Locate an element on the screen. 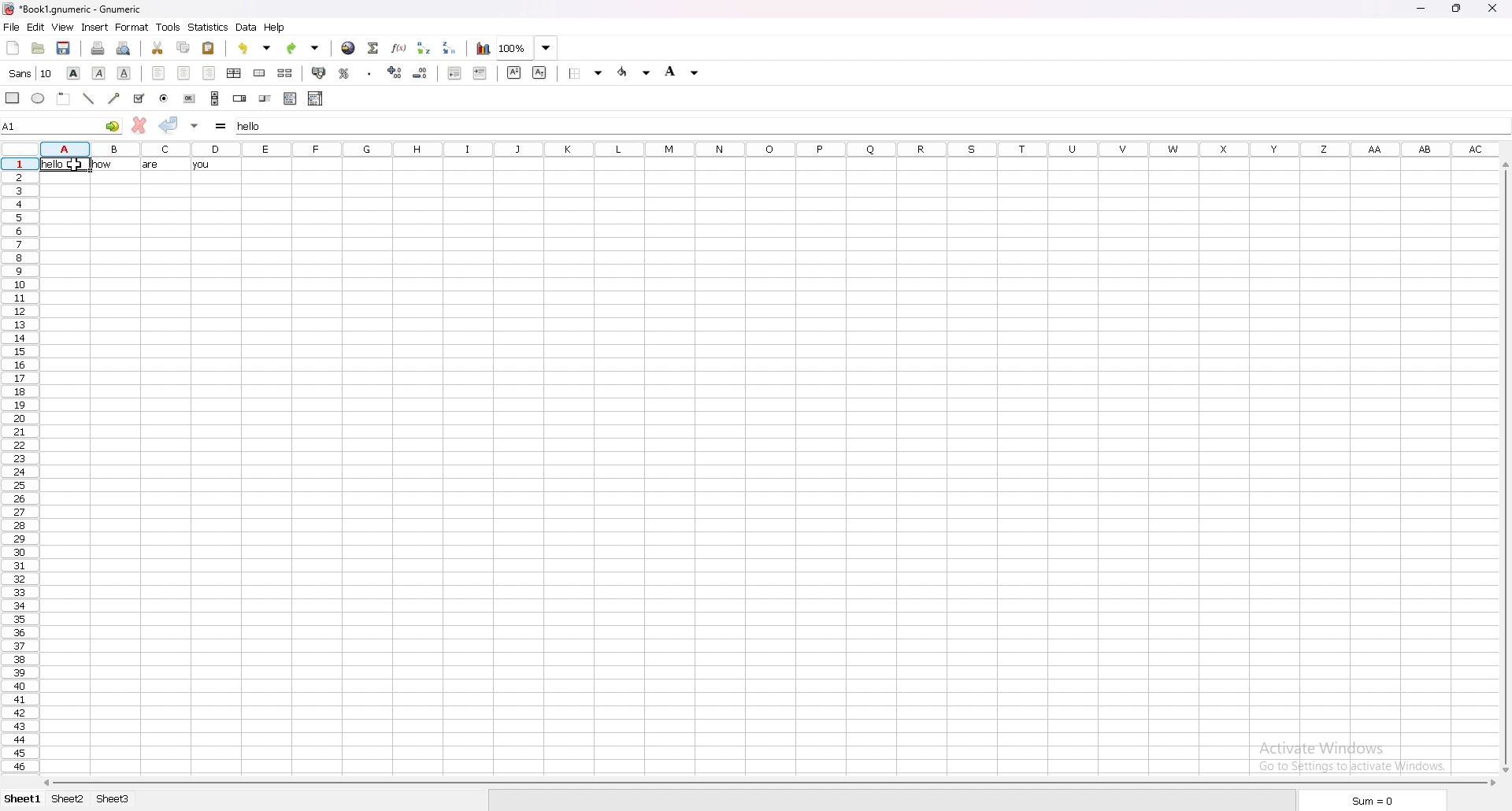 The image size is (1512, 811). selected cell input is located at coordinates (256, 126).